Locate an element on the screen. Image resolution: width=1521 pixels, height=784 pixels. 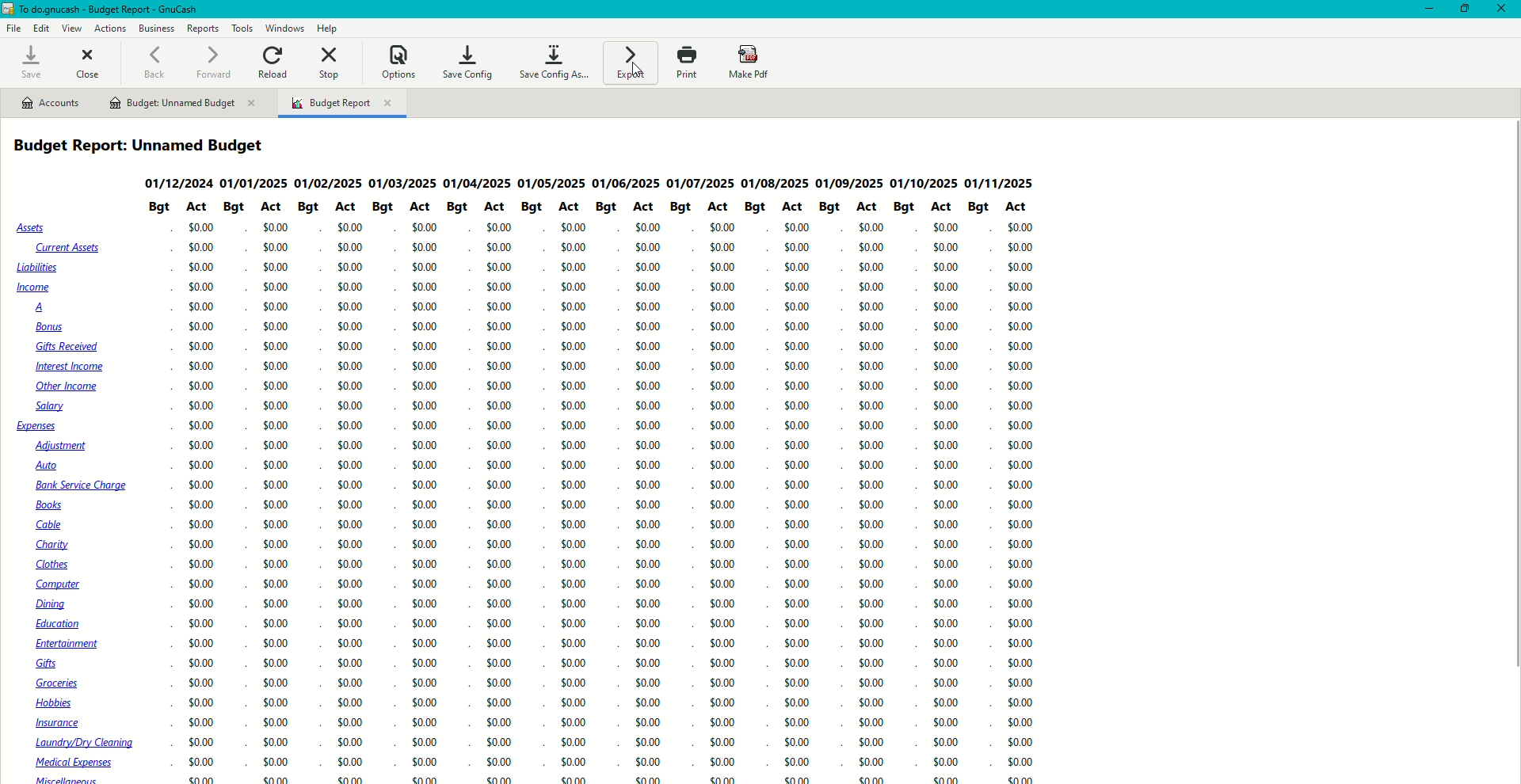
Minimize is located at coordinates (1424, 9).